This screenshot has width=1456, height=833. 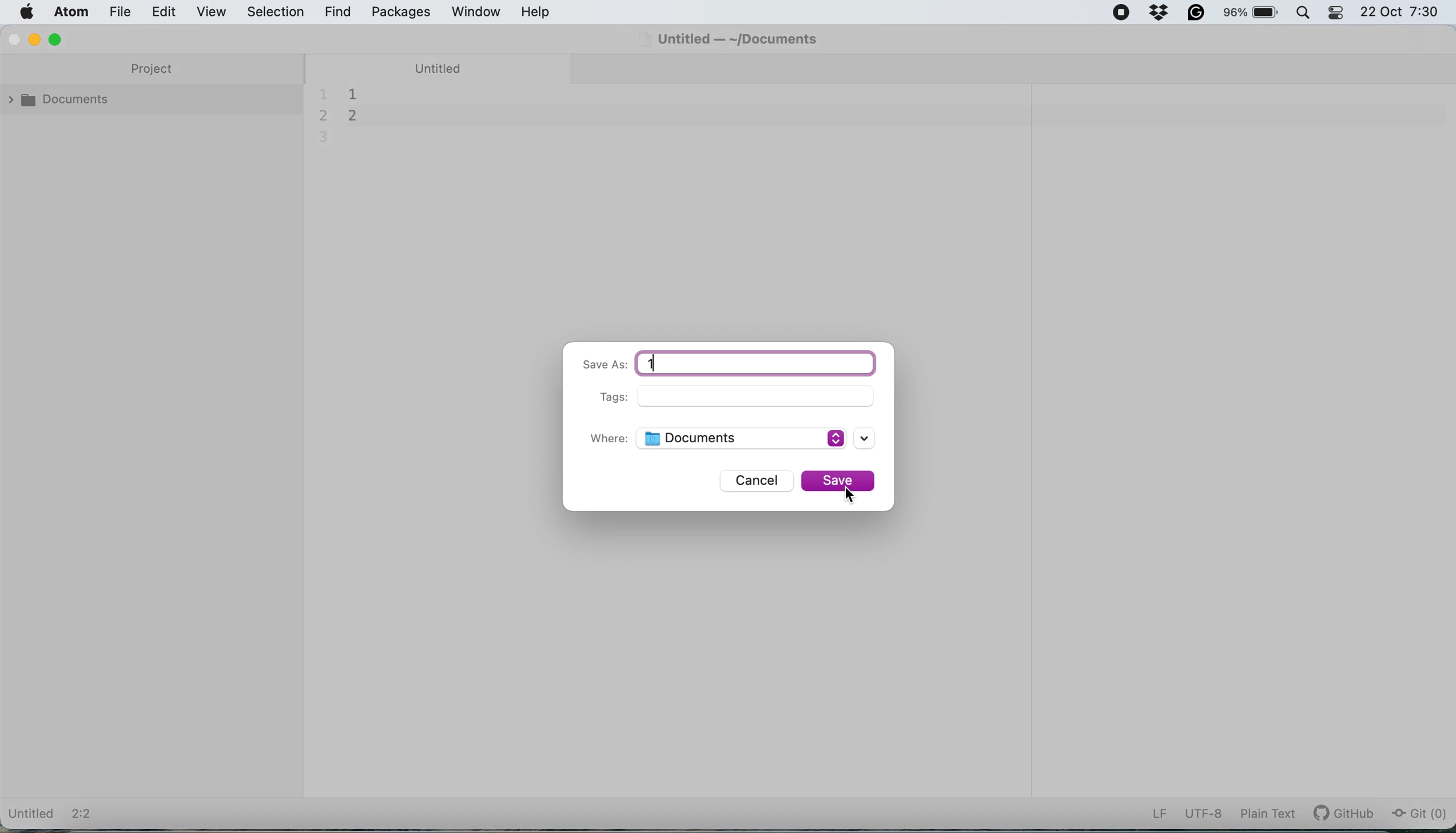 What do you see at coordinates (757, 363) in the screenshot?
I see `typing in file name` at bounding box center [757, 363].